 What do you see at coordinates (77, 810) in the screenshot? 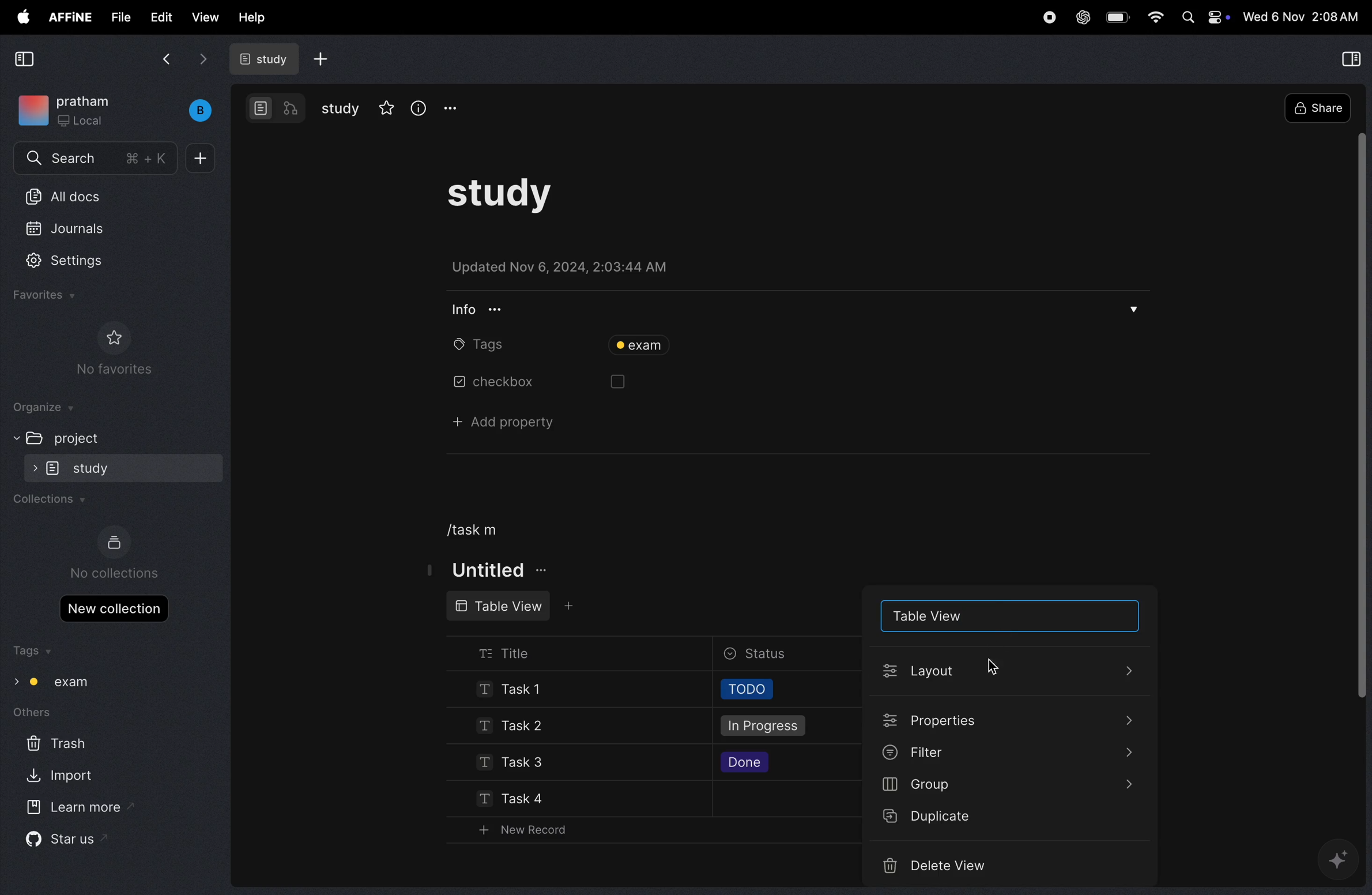
I see `learn more` at bounding box center [77, 810].